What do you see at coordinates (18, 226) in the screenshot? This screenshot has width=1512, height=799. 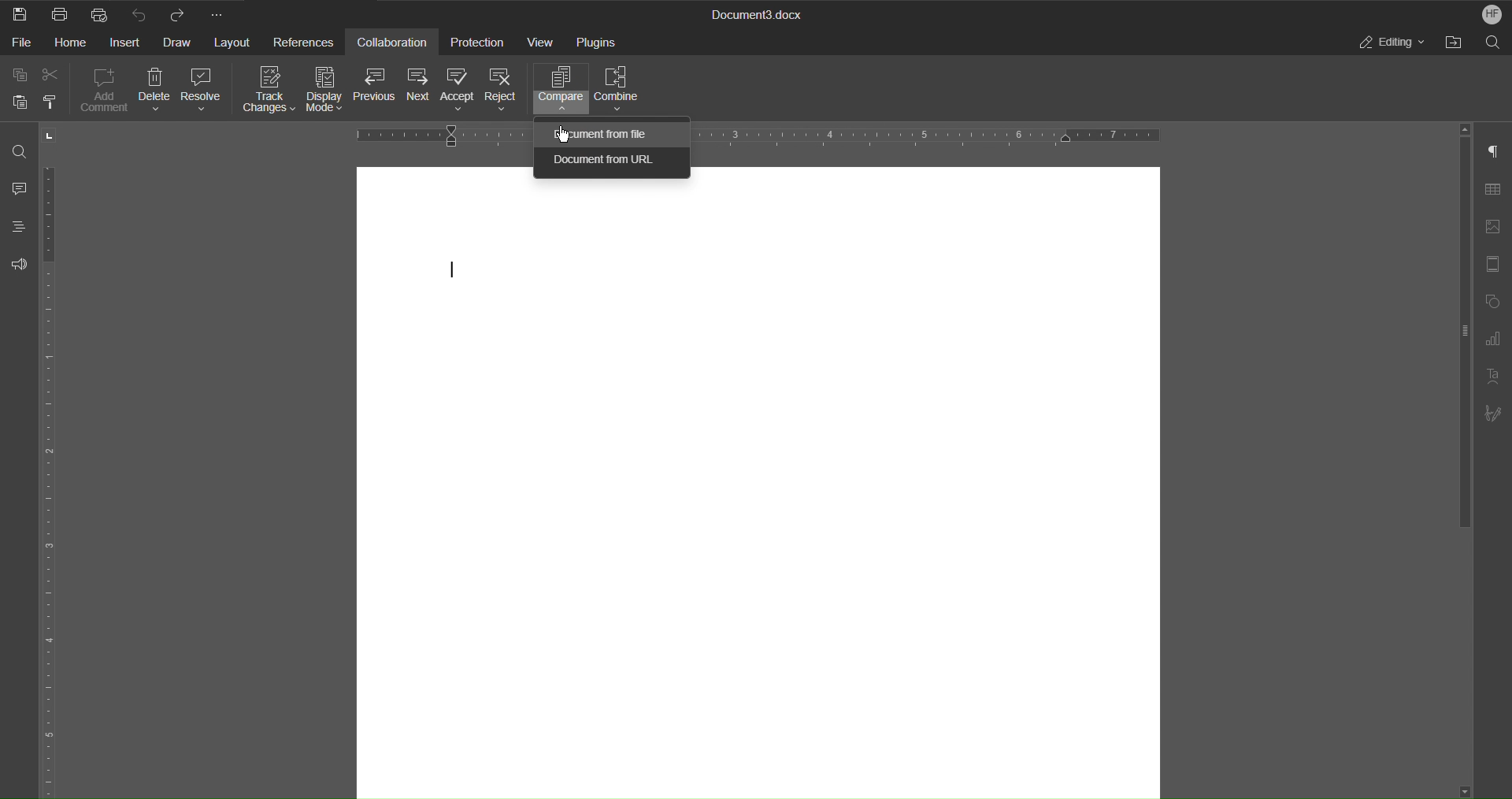 I see `Headings` at bounding box center [18, 226].